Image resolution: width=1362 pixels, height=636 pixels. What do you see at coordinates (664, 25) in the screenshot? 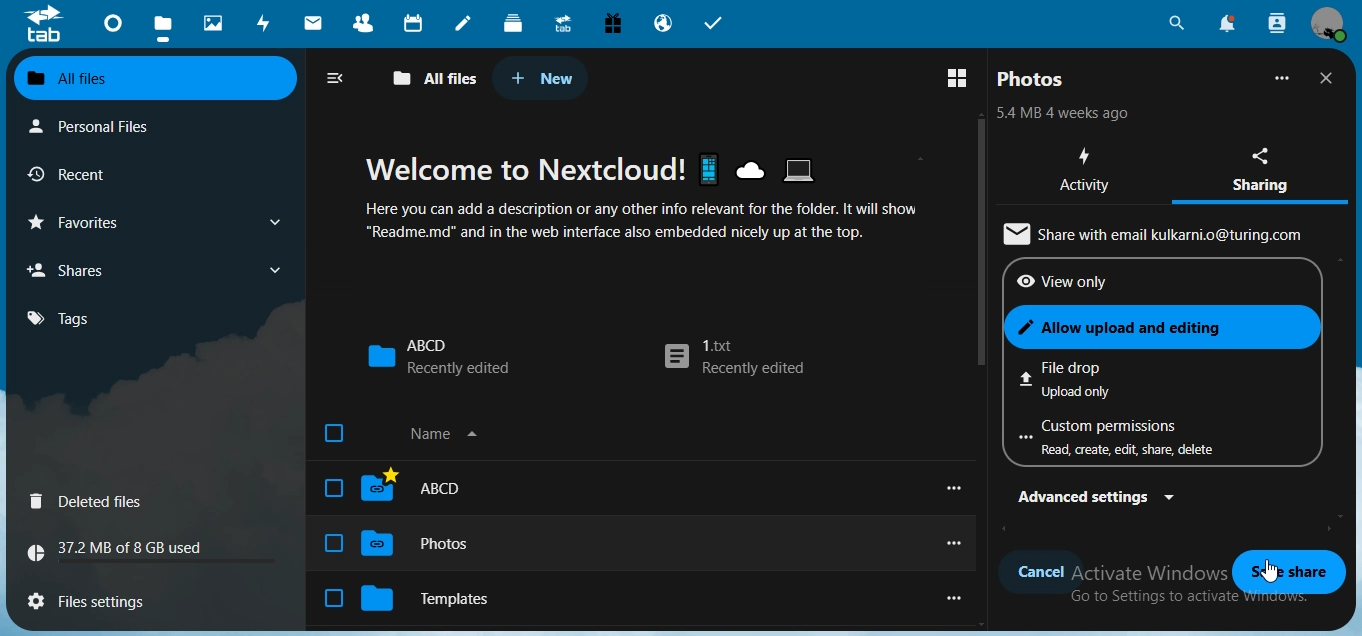
I see `email hosting` at bounding box center [664, 25].